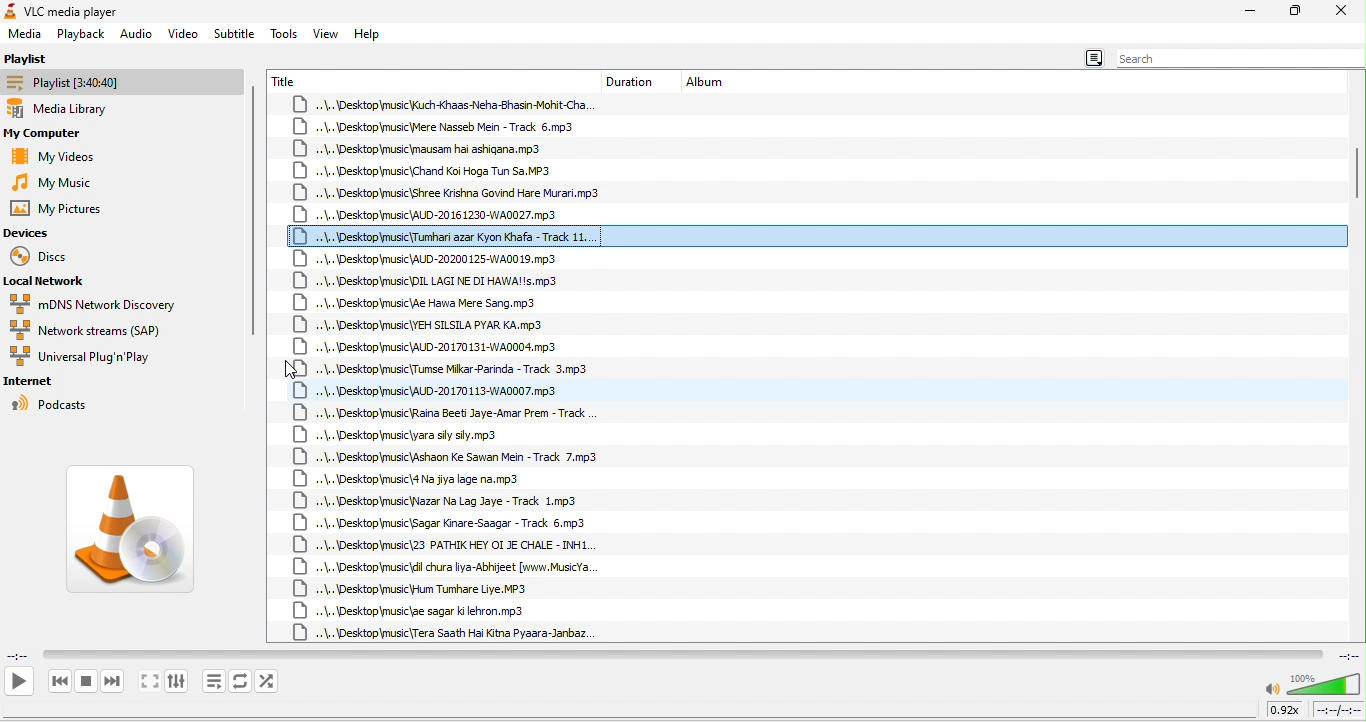 Image resolution: width=1366 pixels, height=722 pixels. Describe the element at coordinates (445, 632) in the screenshot. I see `..\..\Desktop\music {Tera Saath Hai Kitna Pyaara-Janbaz.` at that location.